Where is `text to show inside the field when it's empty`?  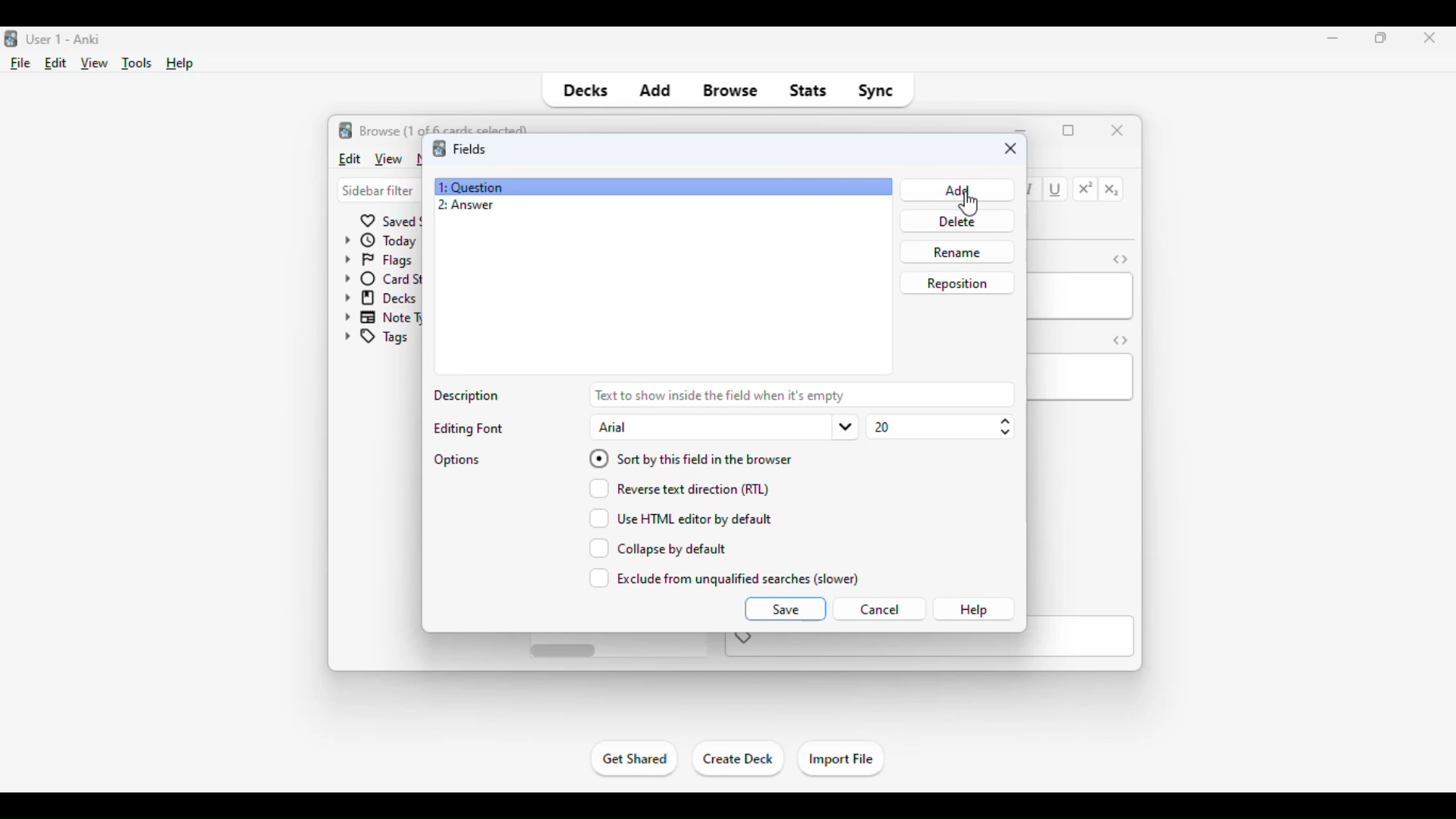 text to show inside the field when it's empty is located at coordinates (802, 394).